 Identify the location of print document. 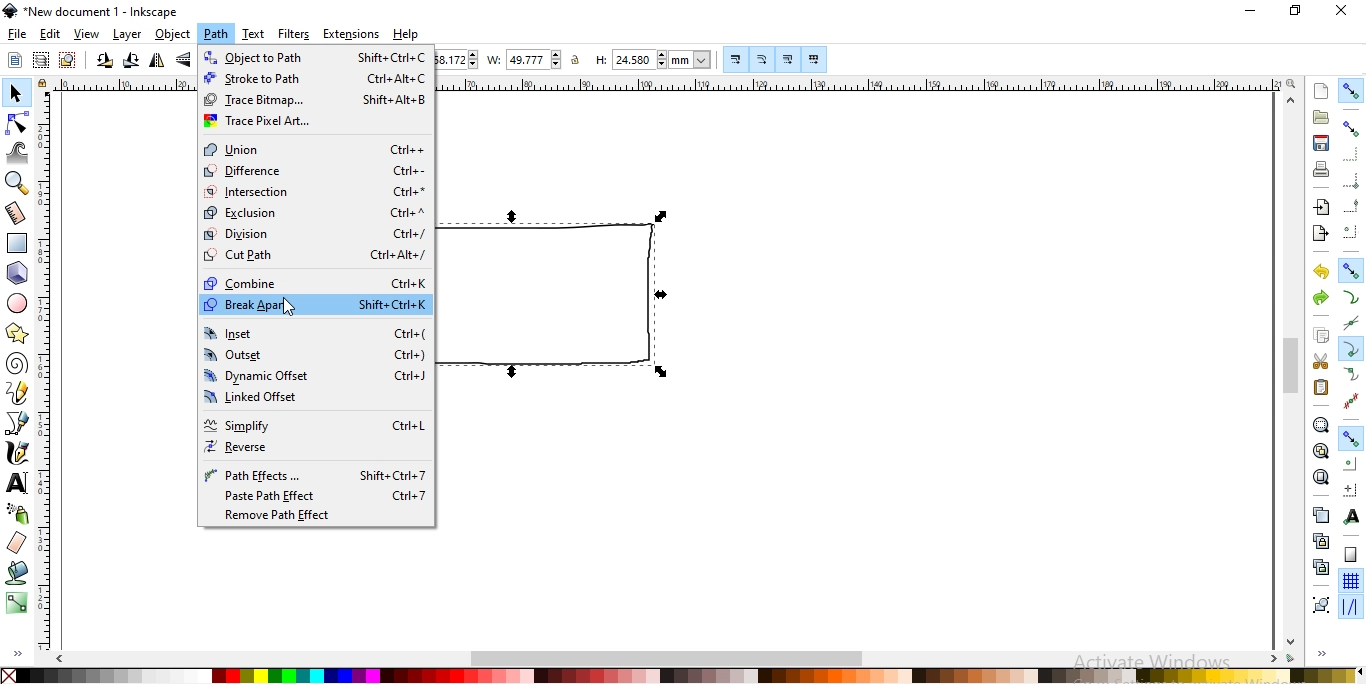
(1321, 170).